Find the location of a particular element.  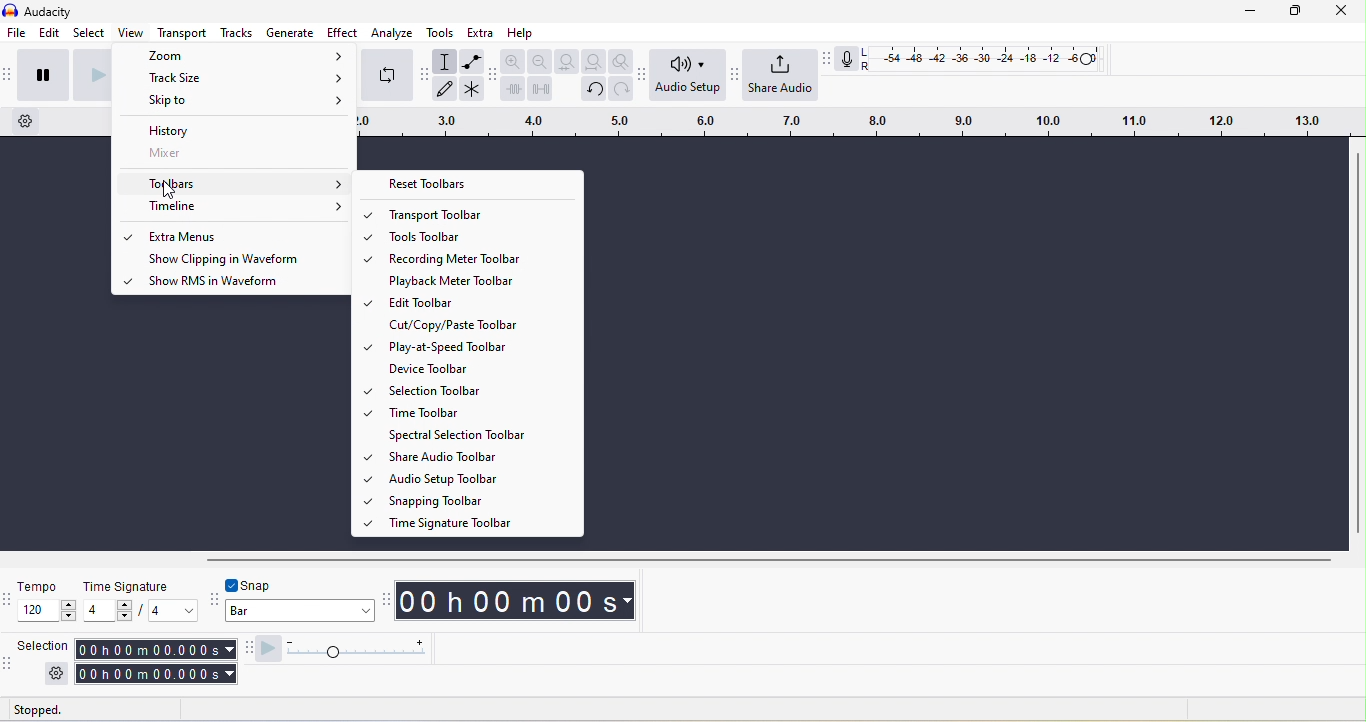

file is located at coordinates (17, 32).